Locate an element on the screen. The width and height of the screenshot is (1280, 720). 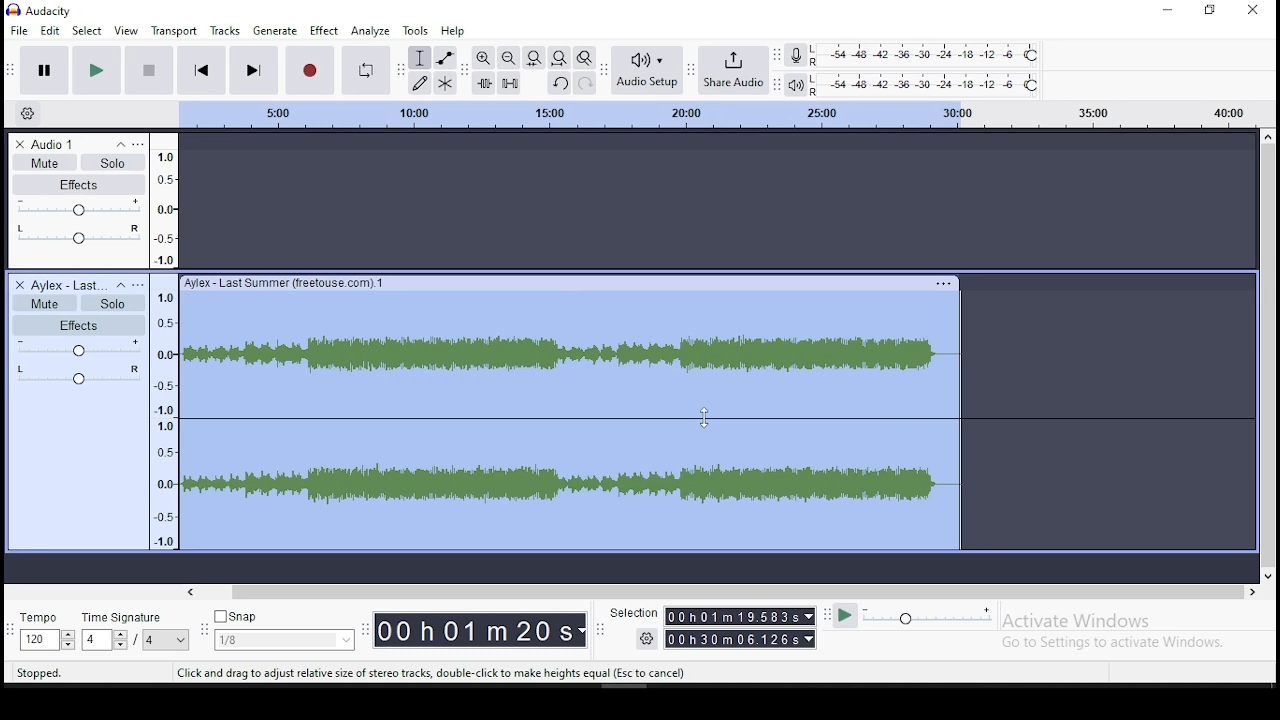
stop is located at coordinates (149, 69).